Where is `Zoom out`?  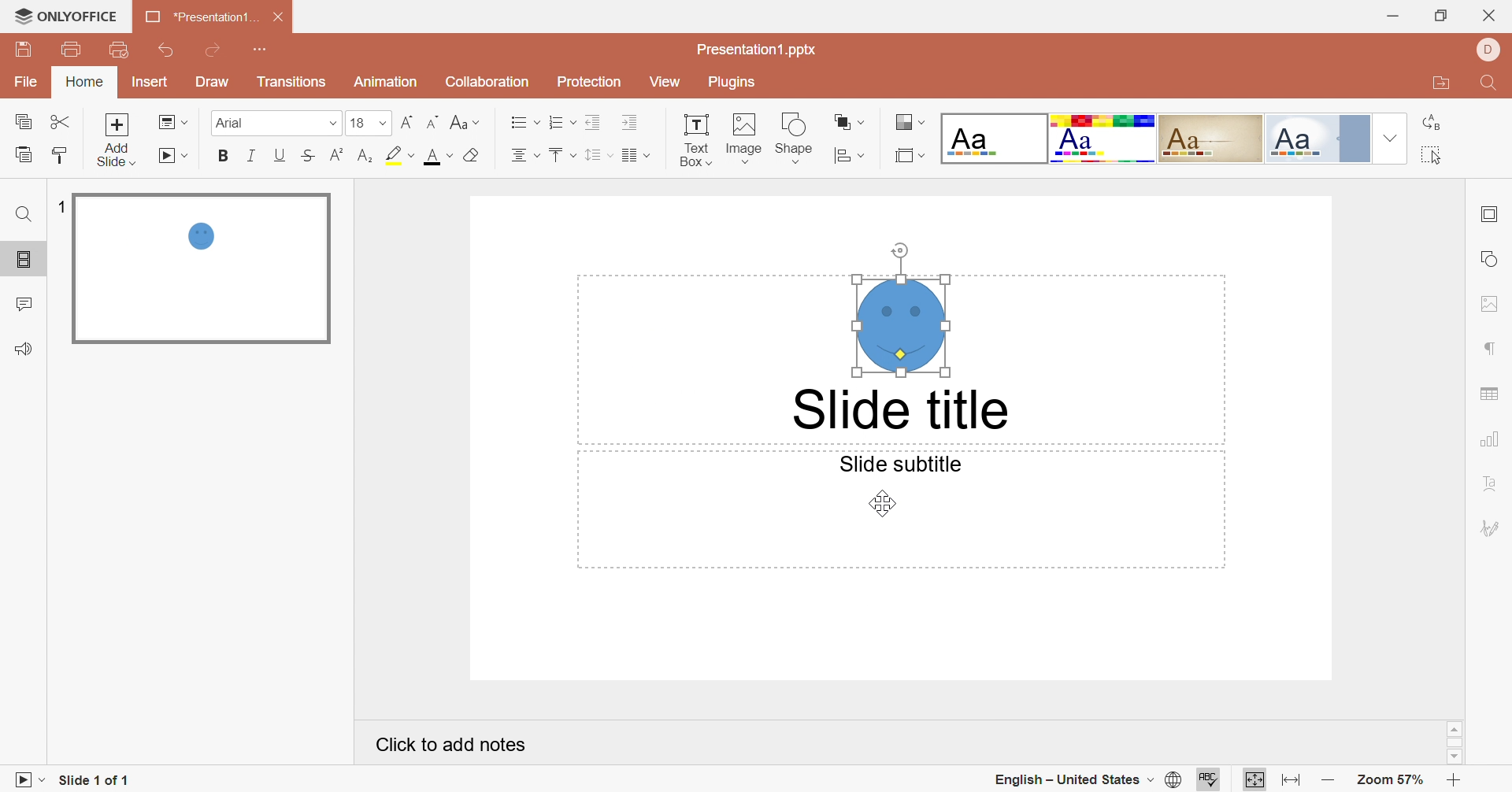 Zoom out is located at coordinates (1329, 781).